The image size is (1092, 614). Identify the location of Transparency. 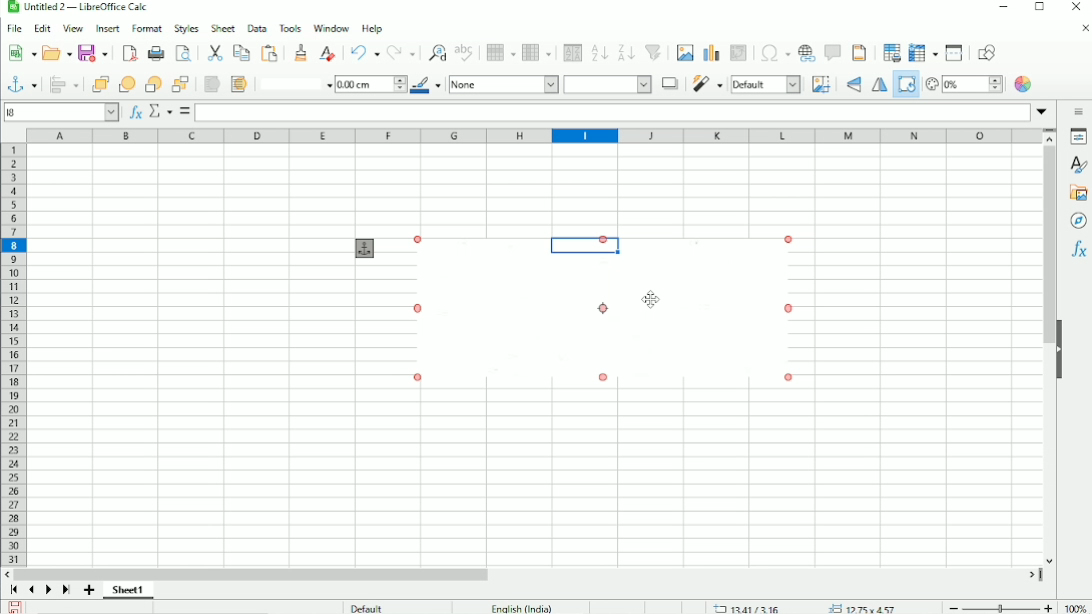
(964, 85).